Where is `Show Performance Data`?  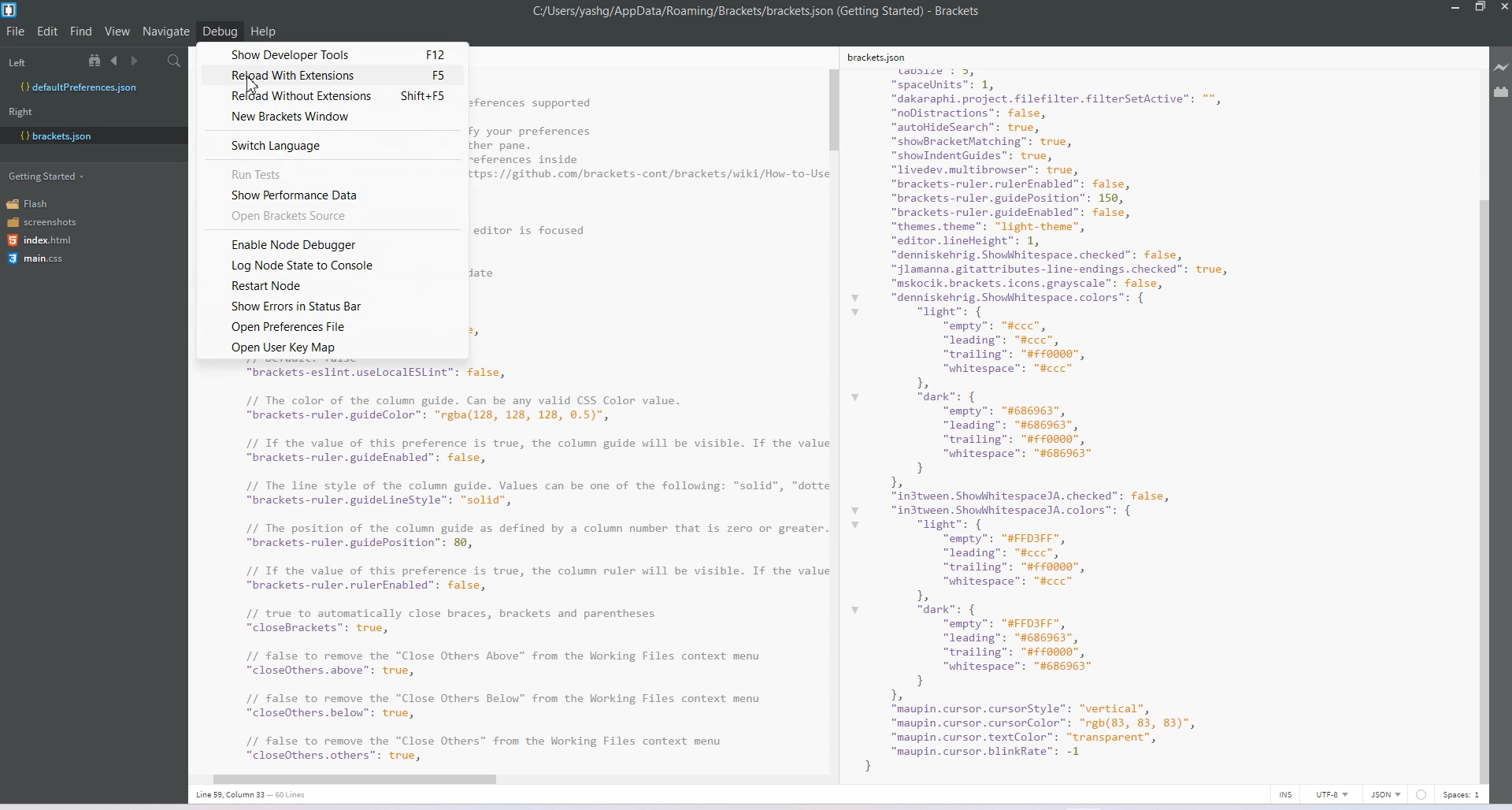
Show Performance Data is located at coordinates (337, 194).